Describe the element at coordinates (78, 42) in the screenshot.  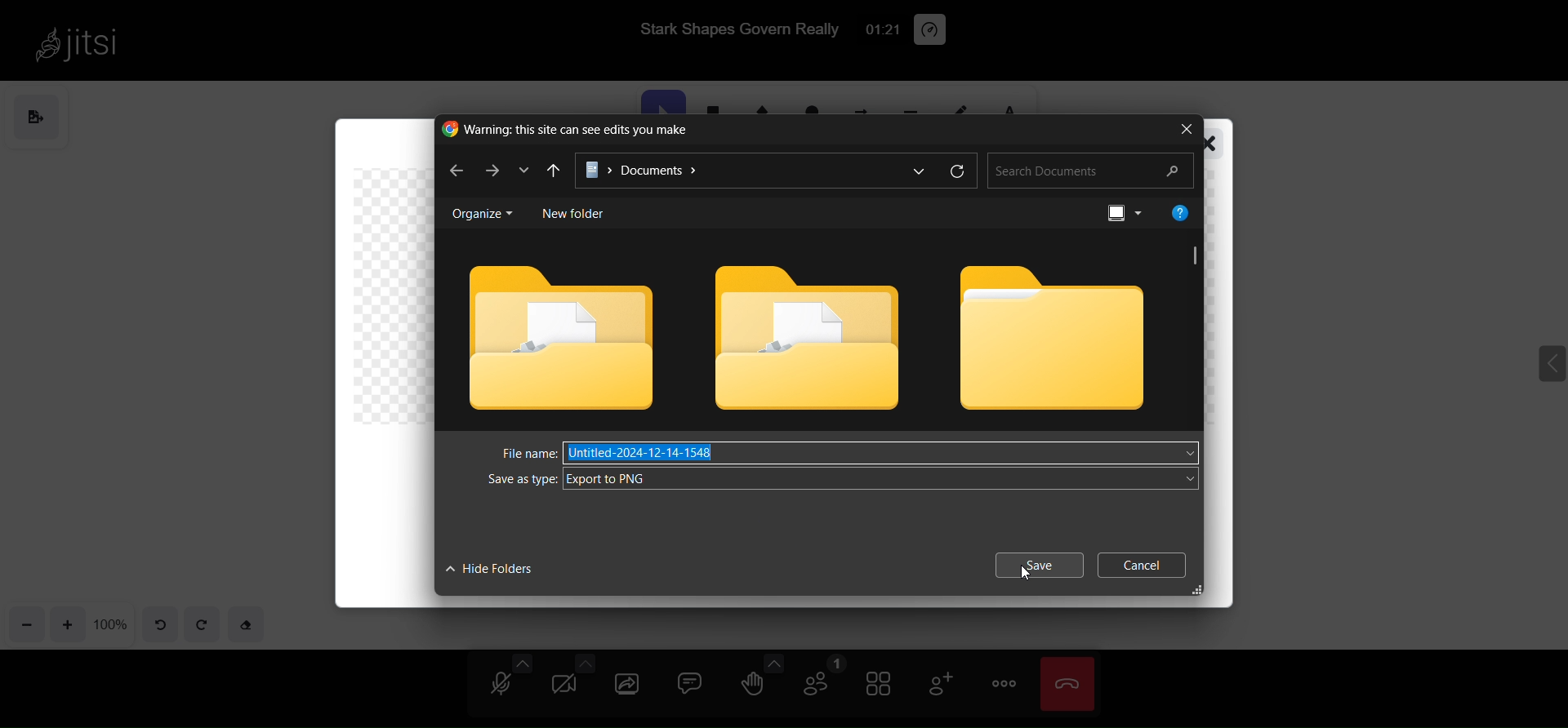
I see `jitsi` at that location.